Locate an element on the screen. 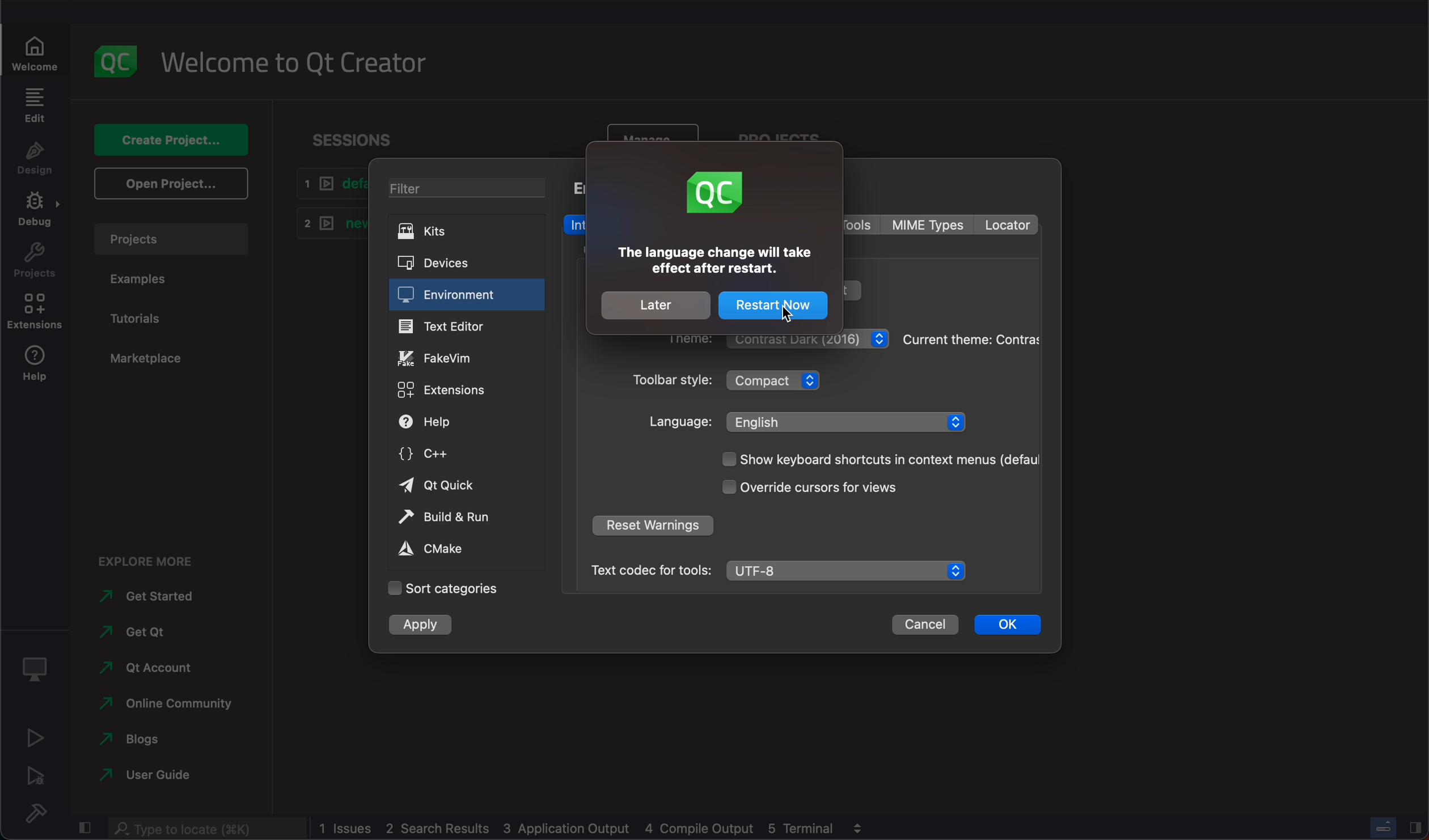  kit selector is located at coordinates (34, 665).